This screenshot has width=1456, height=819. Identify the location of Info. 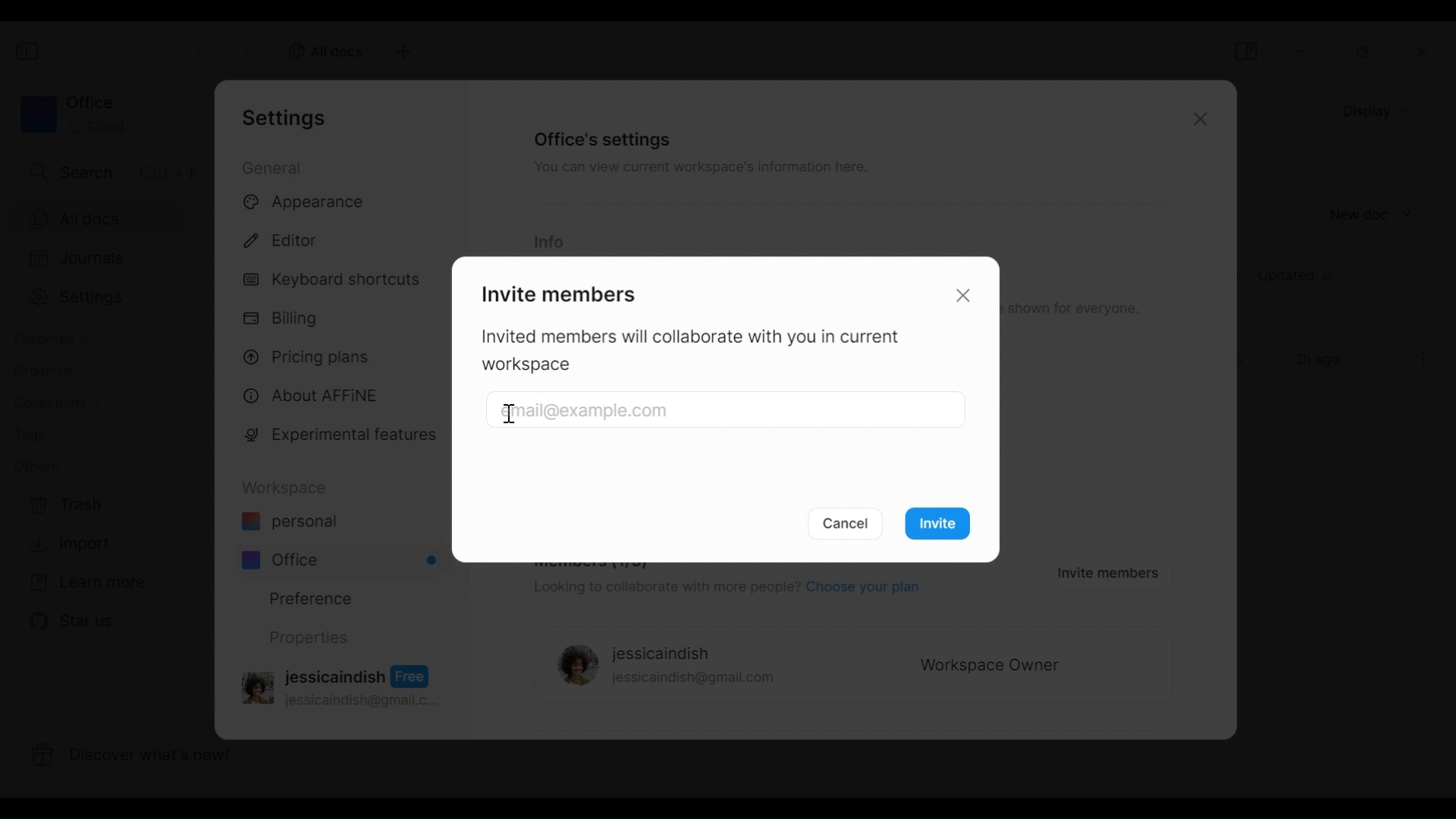
(548, 243).